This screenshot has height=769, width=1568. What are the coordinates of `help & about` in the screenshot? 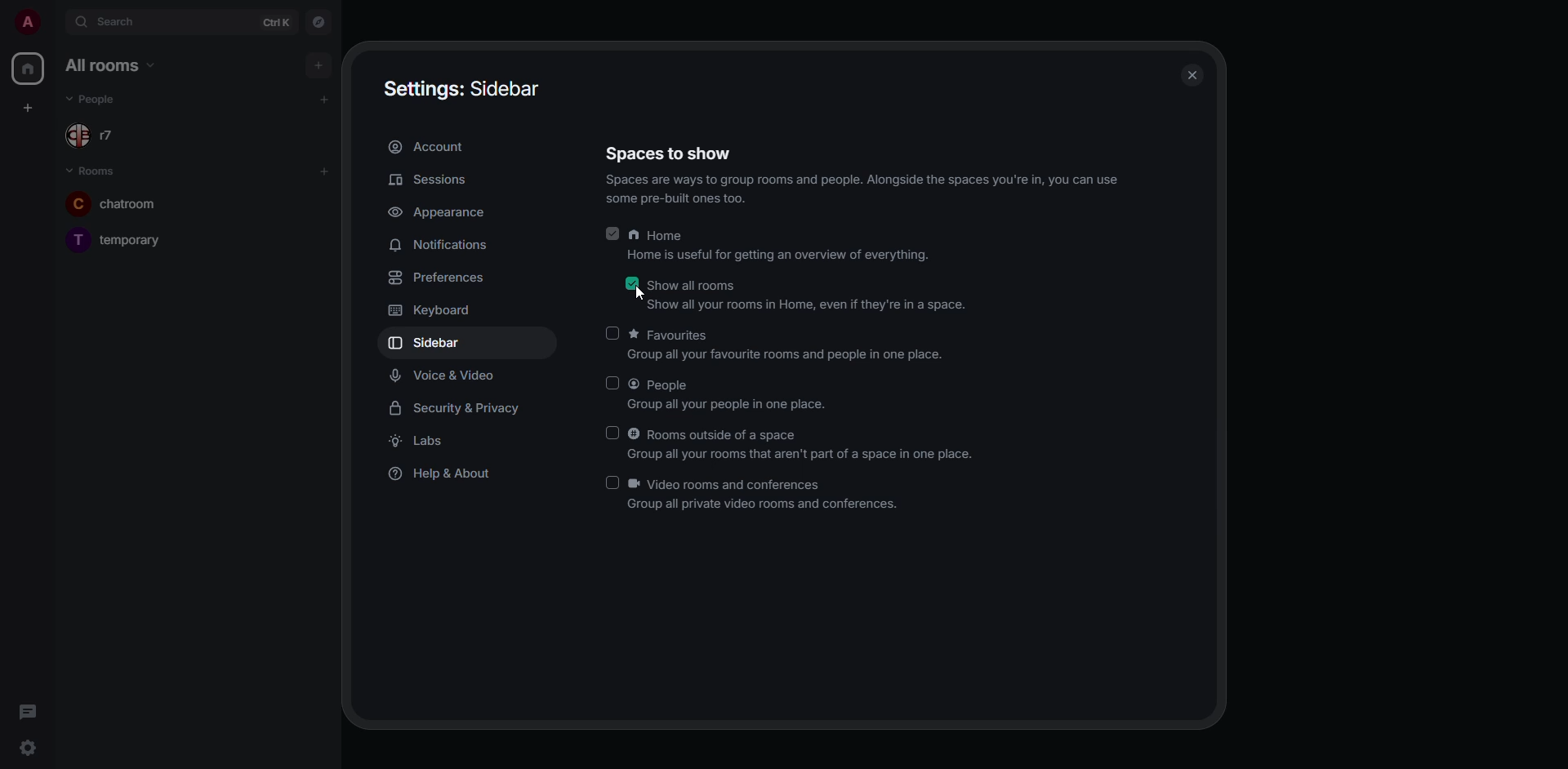 It's located at (449, 476).